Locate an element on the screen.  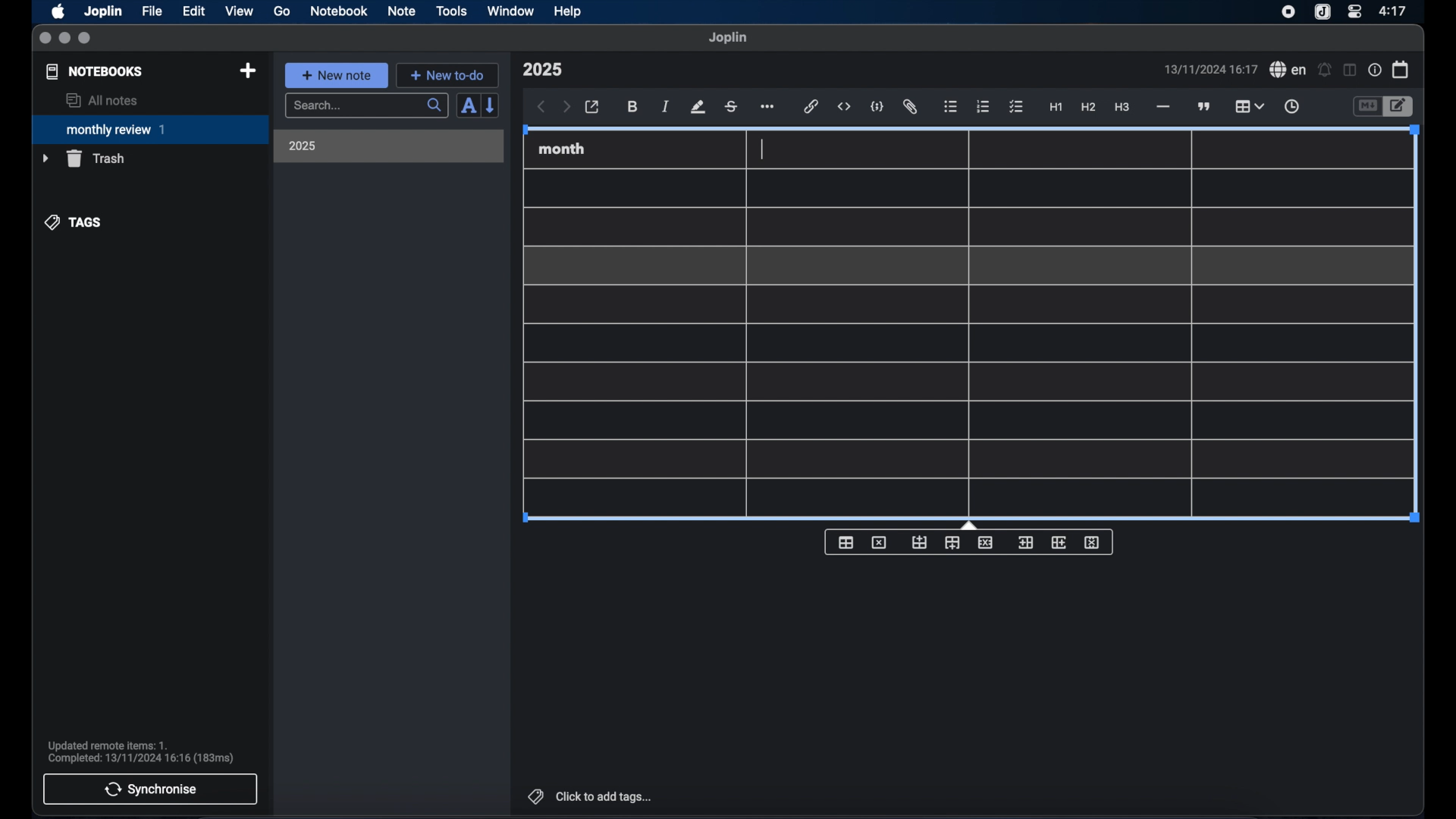
insert time is located at coordinates (1291, 107).